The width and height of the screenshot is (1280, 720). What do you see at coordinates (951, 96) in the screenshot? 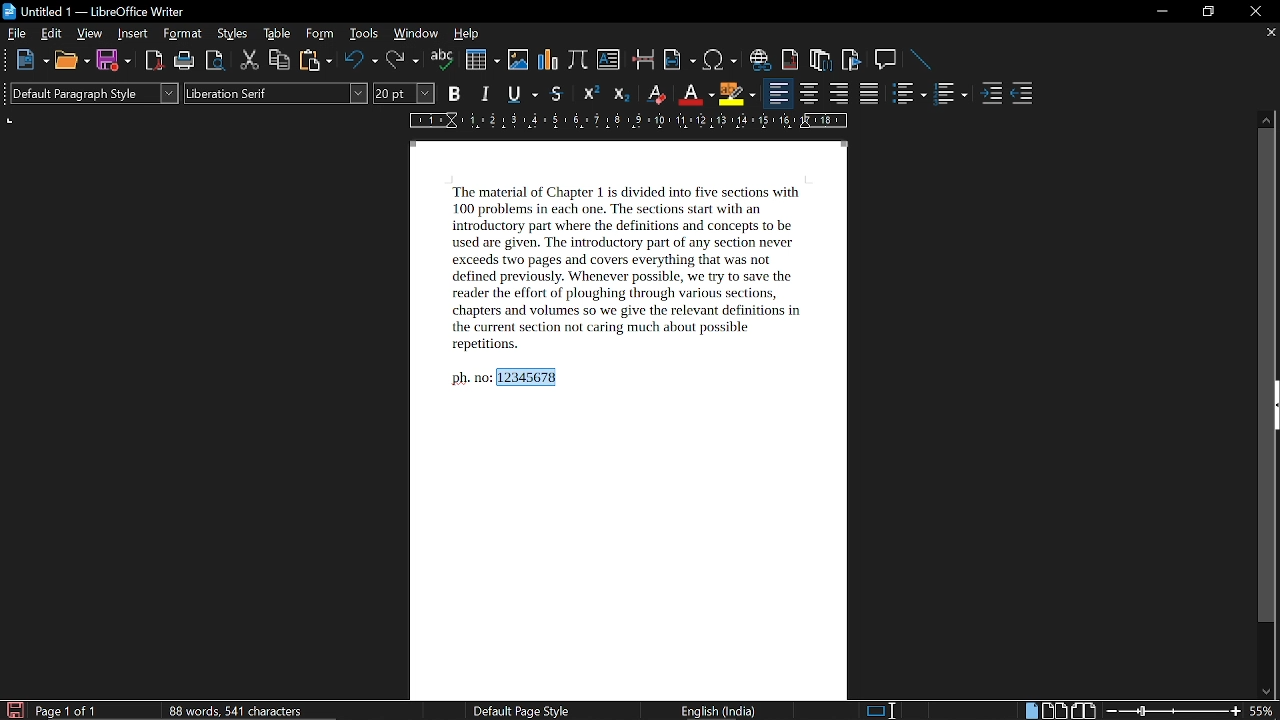
I see `toggle ordered list` at bounding box center [951, 96].